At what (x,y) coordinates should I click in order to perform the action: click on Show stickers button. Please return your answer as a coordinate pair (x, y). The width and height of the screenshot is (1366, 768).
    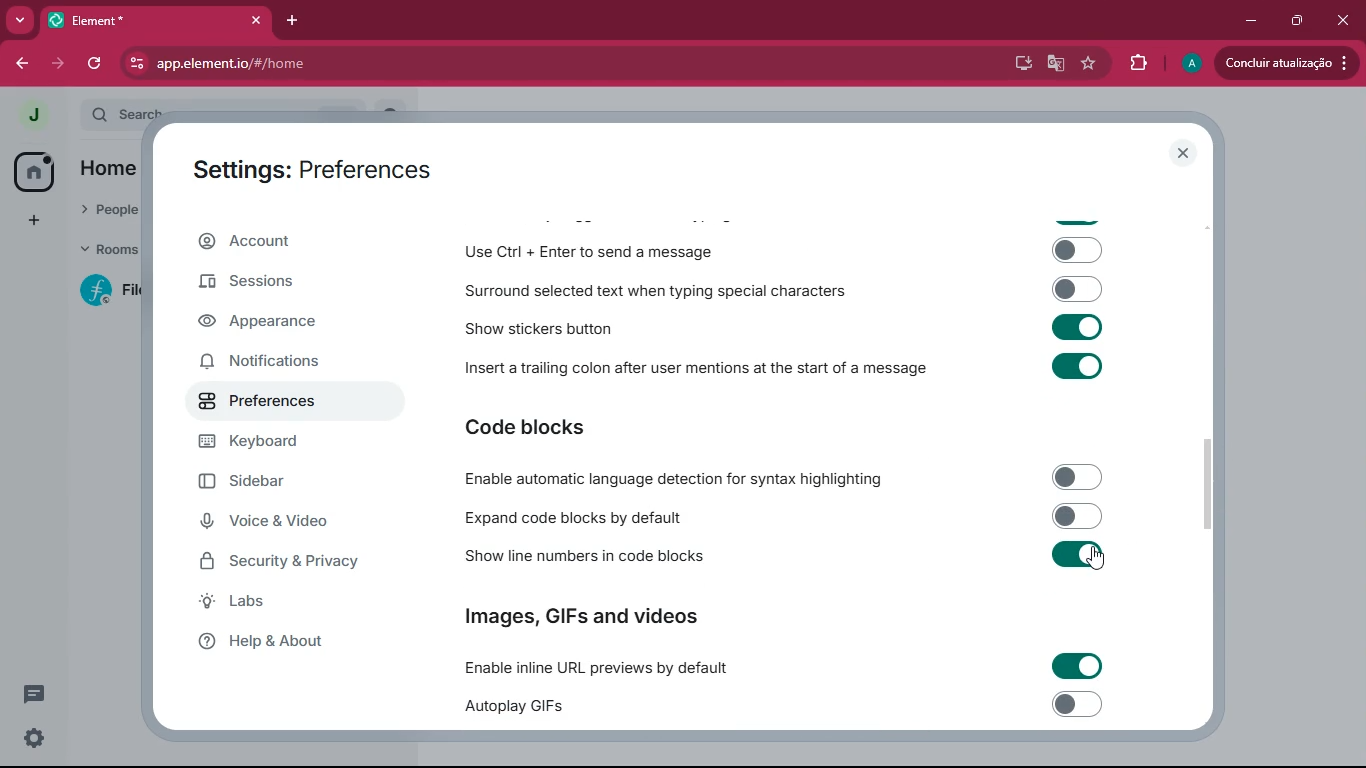
    Looking at the image, I should click on (781, 327).